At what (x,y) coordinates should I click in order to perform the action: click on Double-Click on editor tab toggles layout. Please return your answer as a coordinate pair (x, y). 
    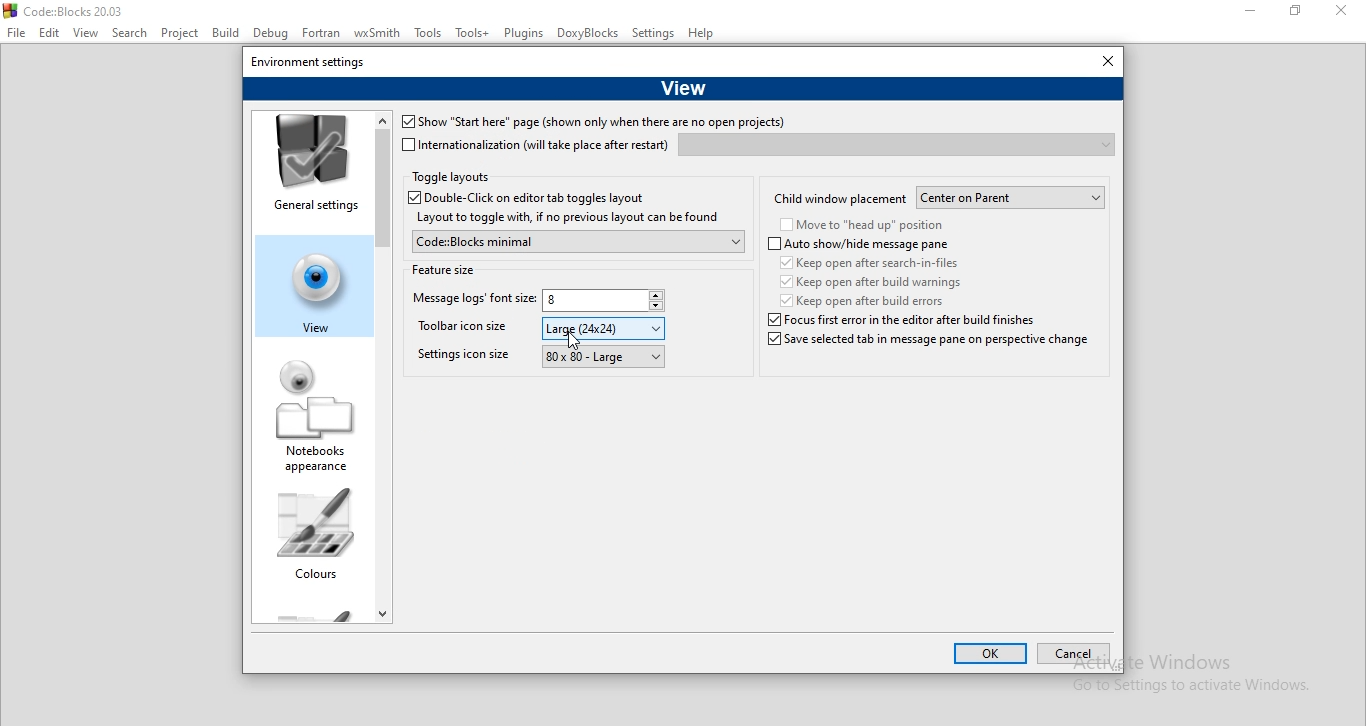
    Looking at the image, I should click on (541, 198).